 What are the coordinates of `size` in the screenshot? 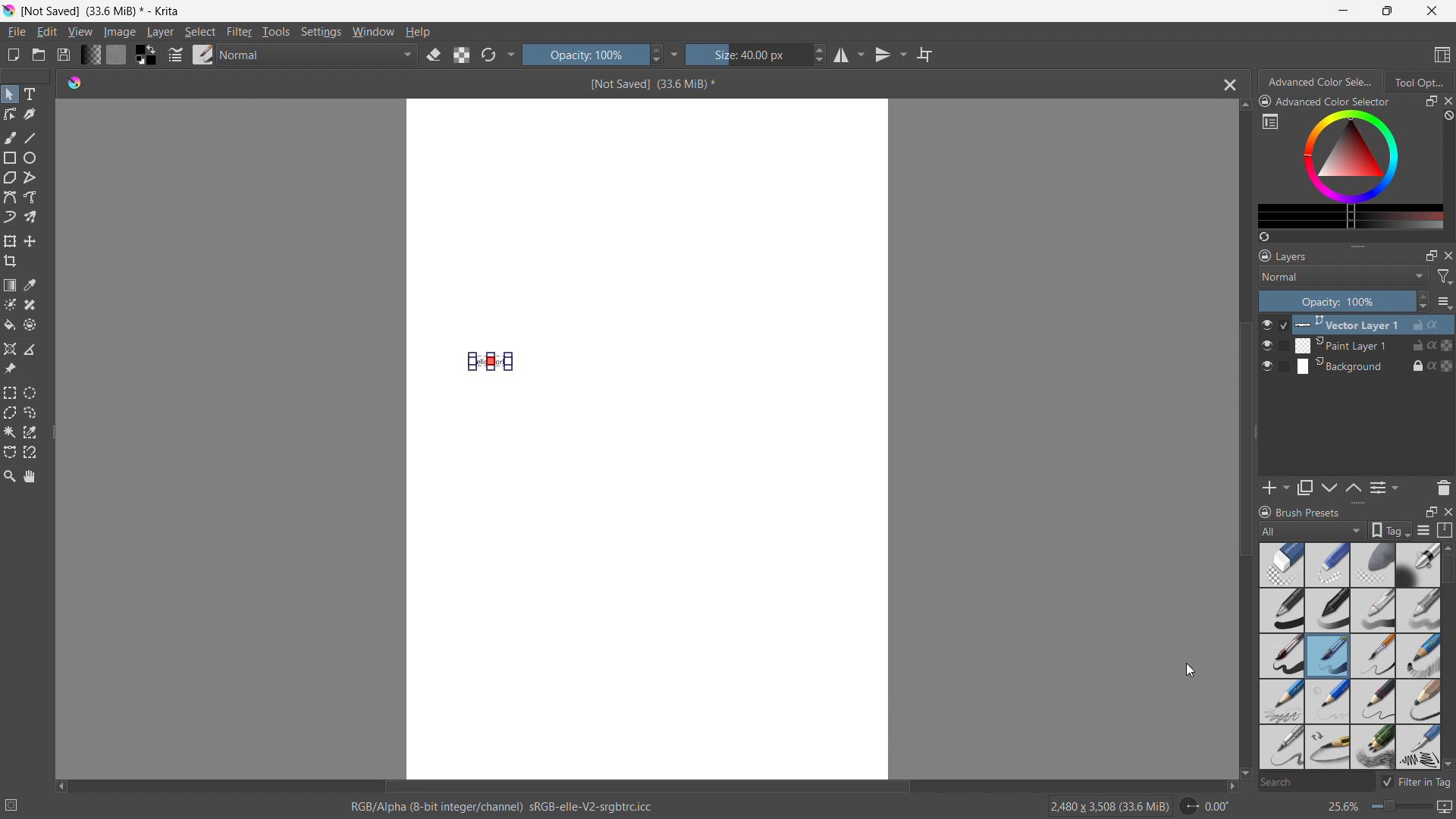 It's located at (756, 55).